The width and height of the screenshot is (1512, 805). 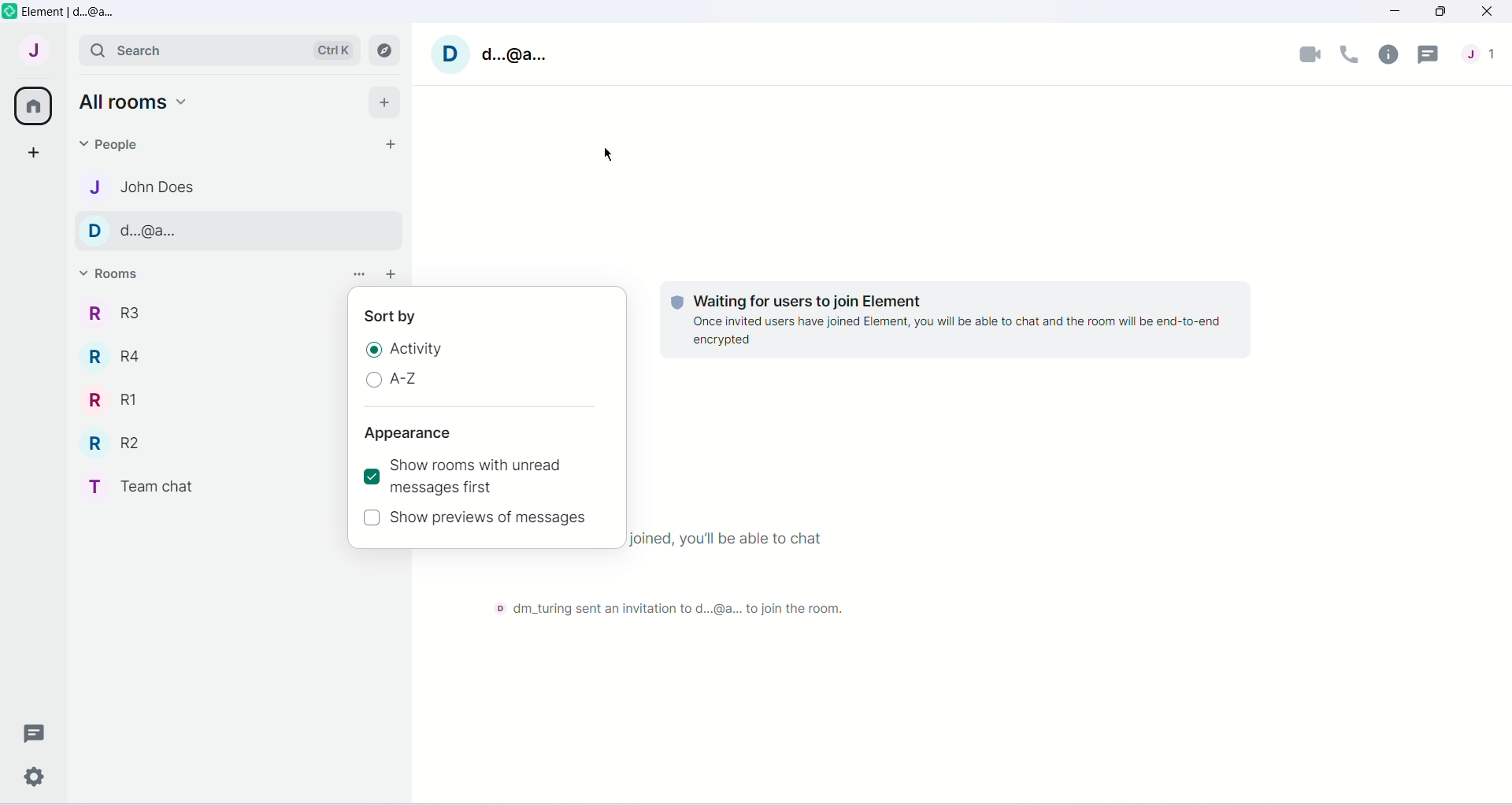 What do you see at coordinates (32, 106) in the screenshot?
I see `All Rooms` at bounding box center [32, 106].